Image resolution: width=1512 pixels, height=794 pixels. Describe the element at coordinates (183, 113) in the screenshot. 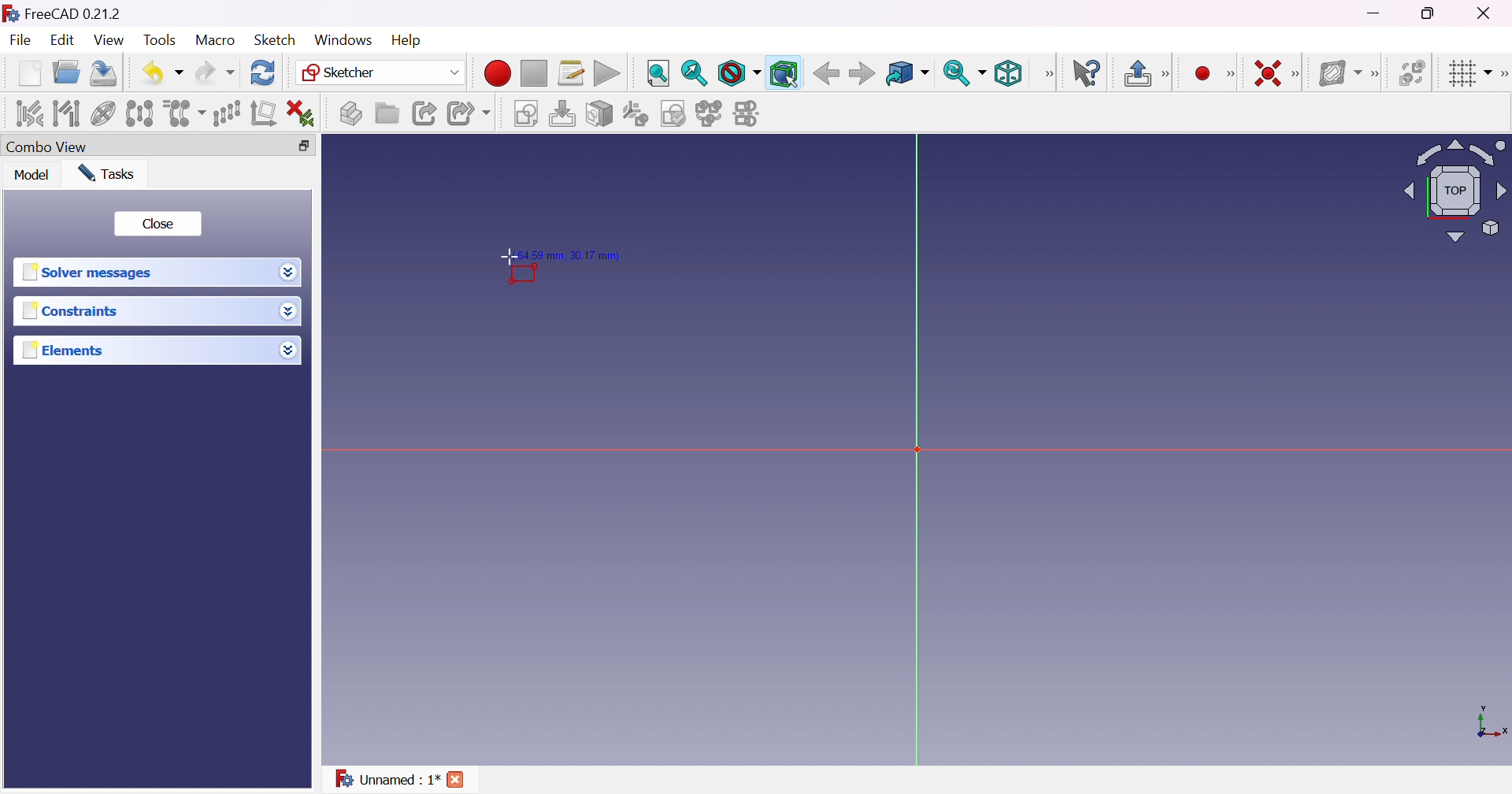

I see `Clone` at that location.